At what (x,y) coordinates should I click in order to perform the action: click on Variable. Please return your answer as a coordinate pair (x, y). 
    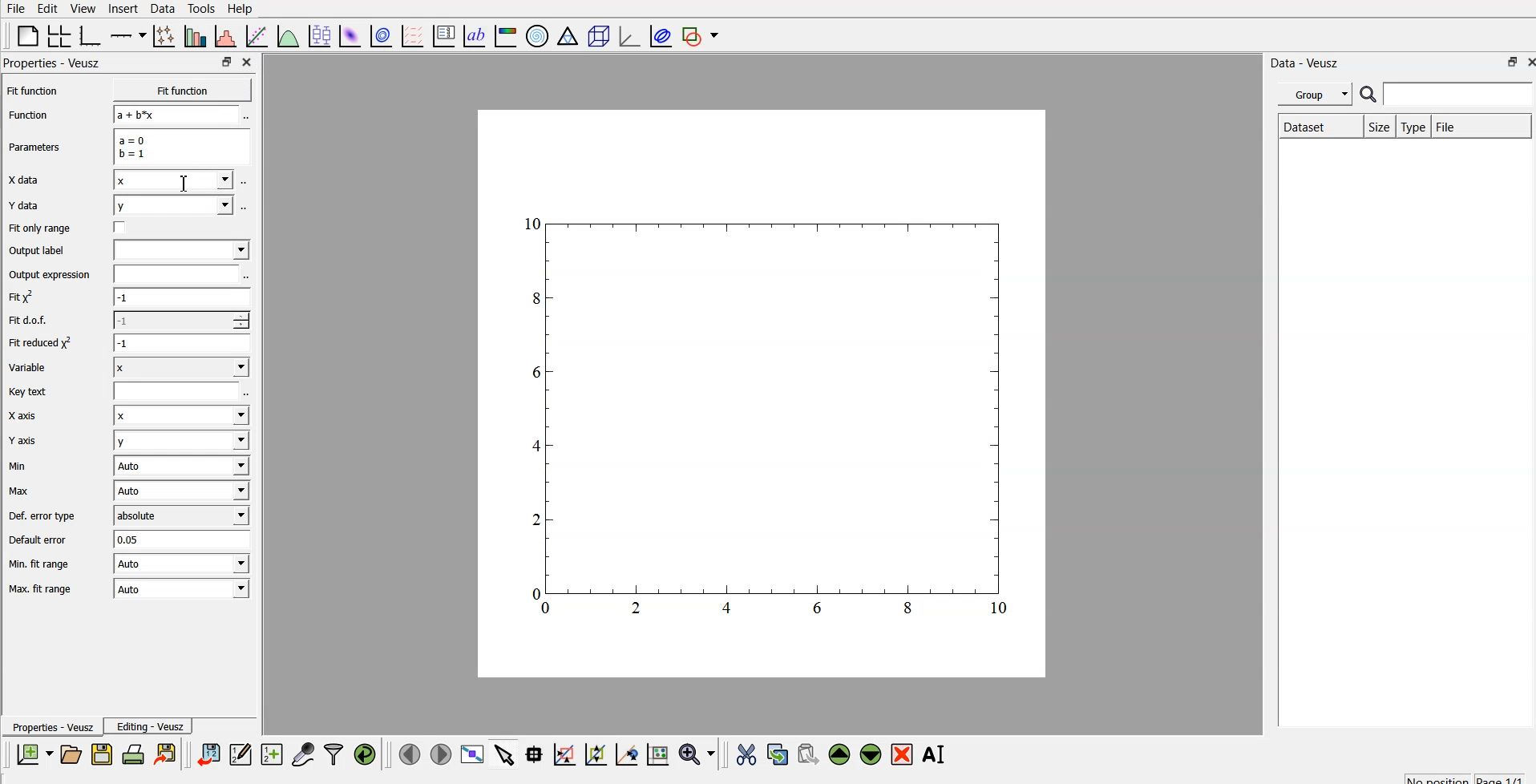
    Looking at the image, I should click on (40, 367).